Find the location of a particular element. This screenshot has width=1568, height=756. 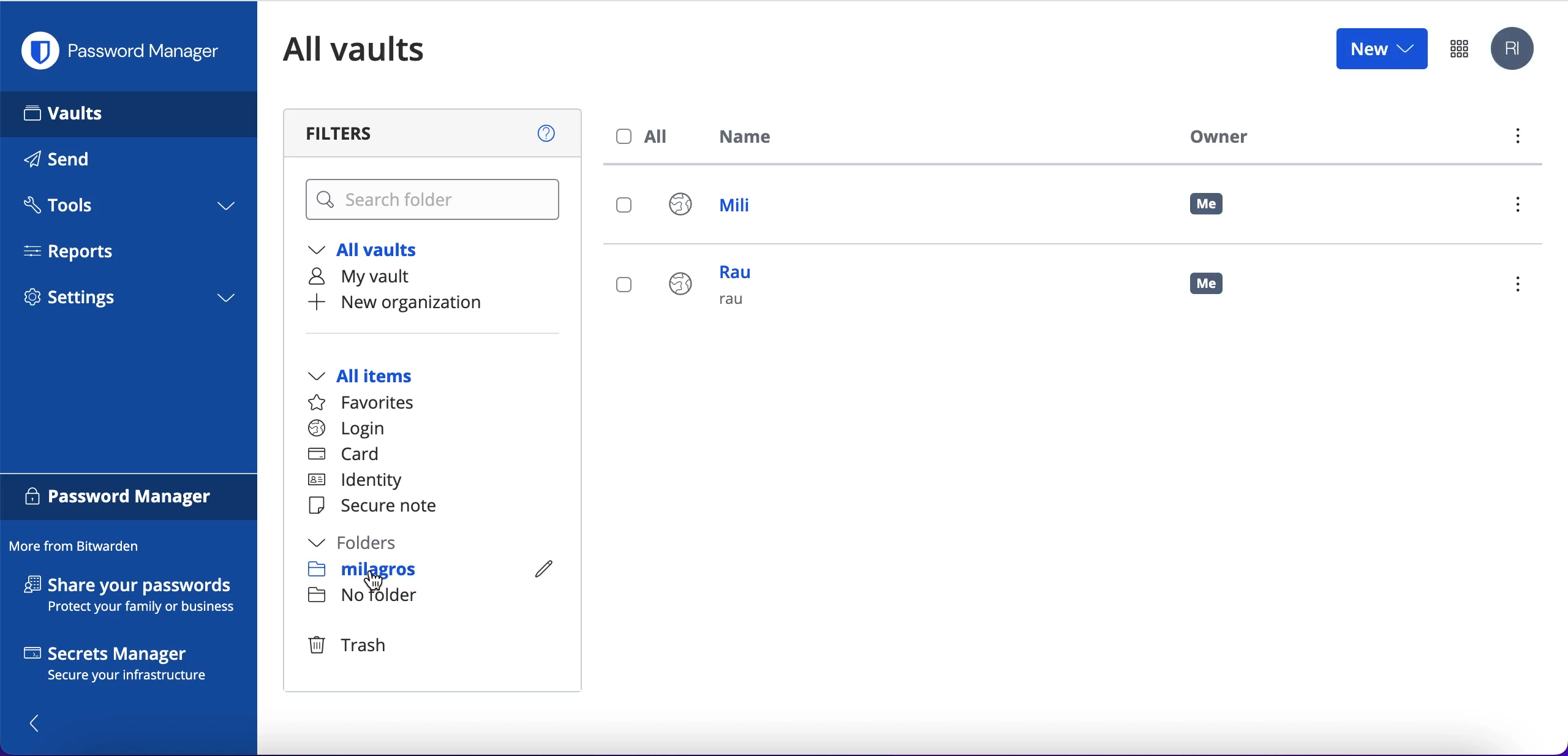

all vaults is located at coordinates (372, 250).